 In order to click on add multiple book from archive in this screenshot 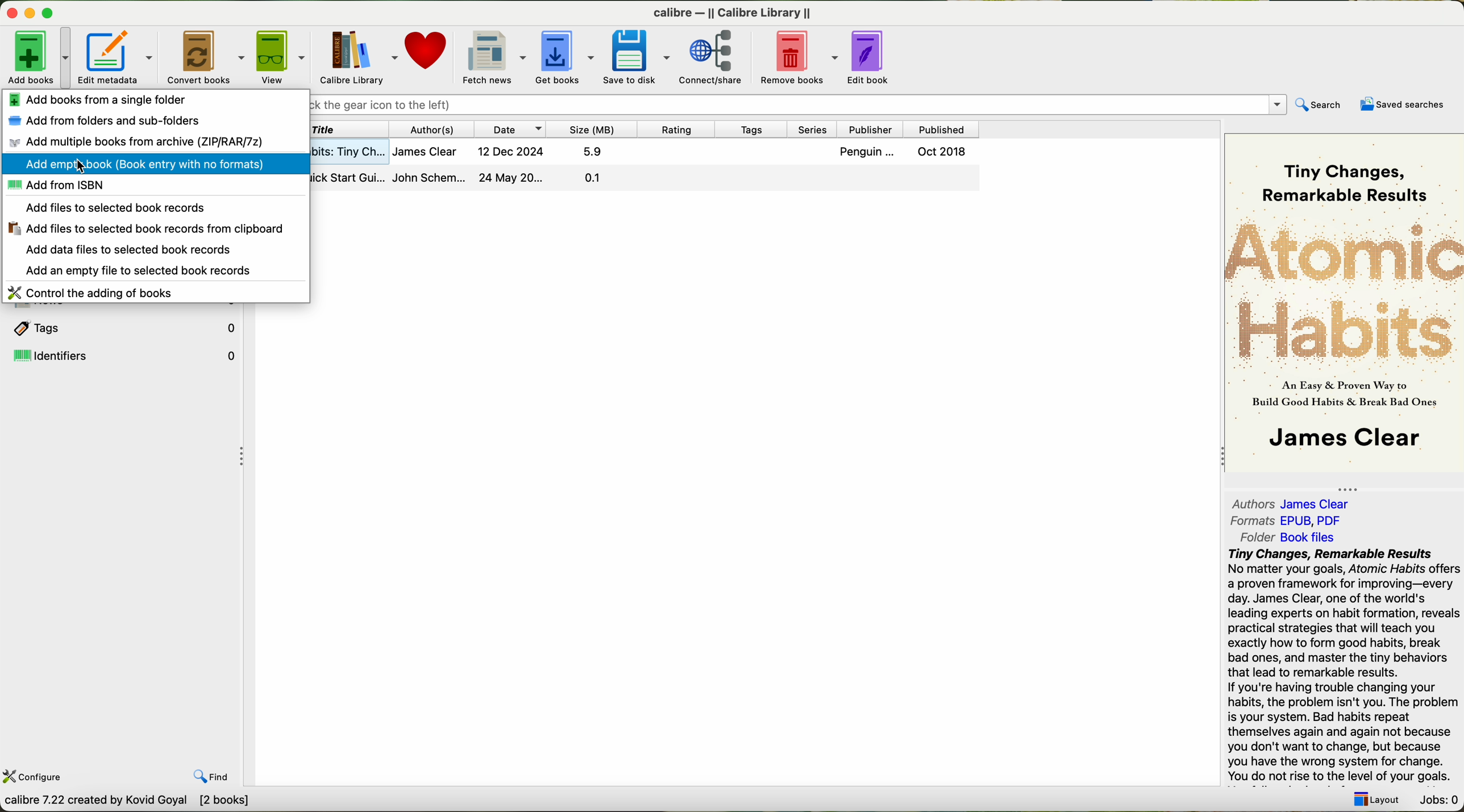, I will do `click(132, 143)`.